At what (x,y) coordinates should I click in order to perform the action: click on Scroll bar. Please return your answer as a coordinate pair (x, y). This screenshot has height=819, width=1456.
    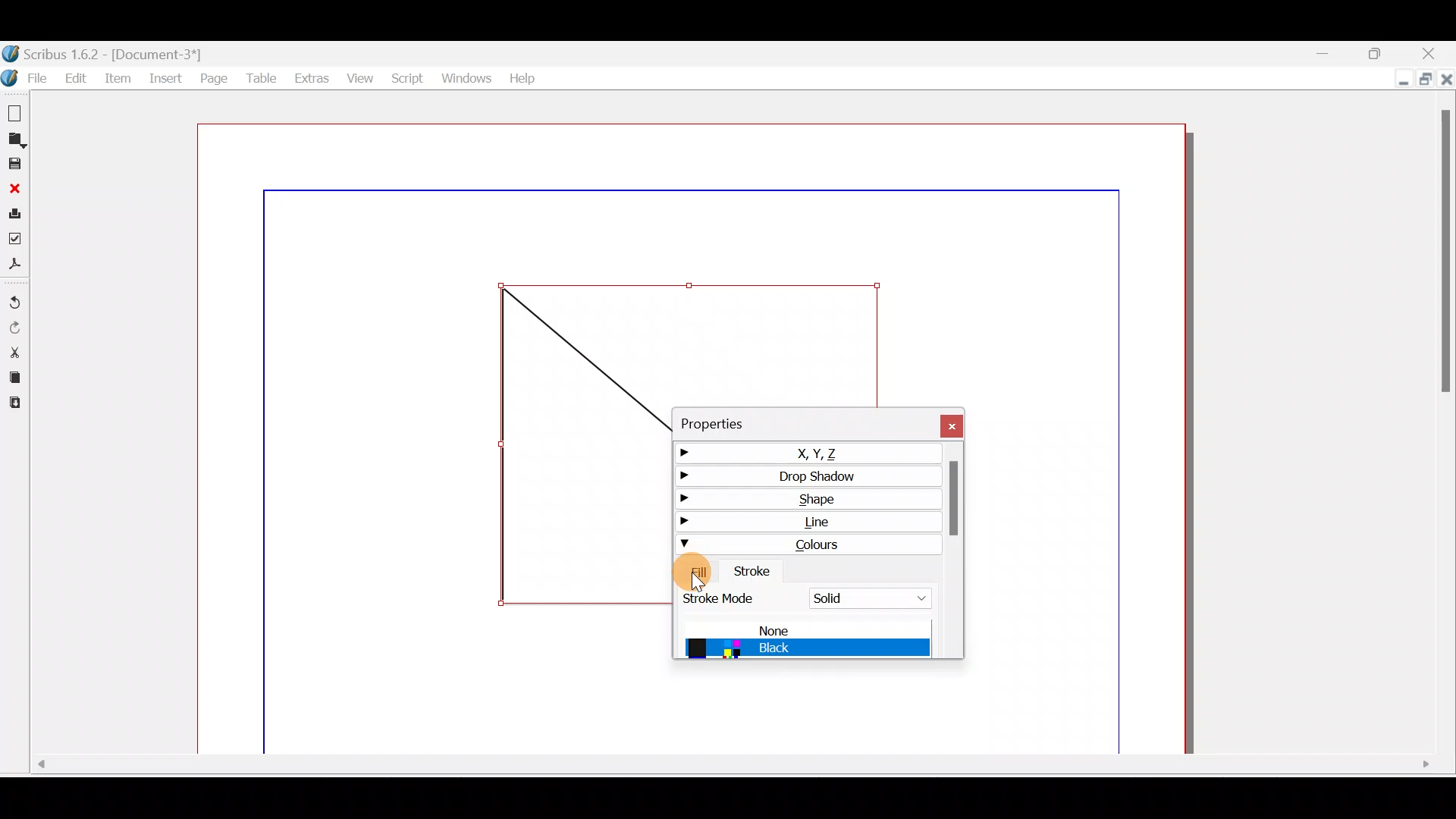
    Looking at the image, I should click on (954, 554).